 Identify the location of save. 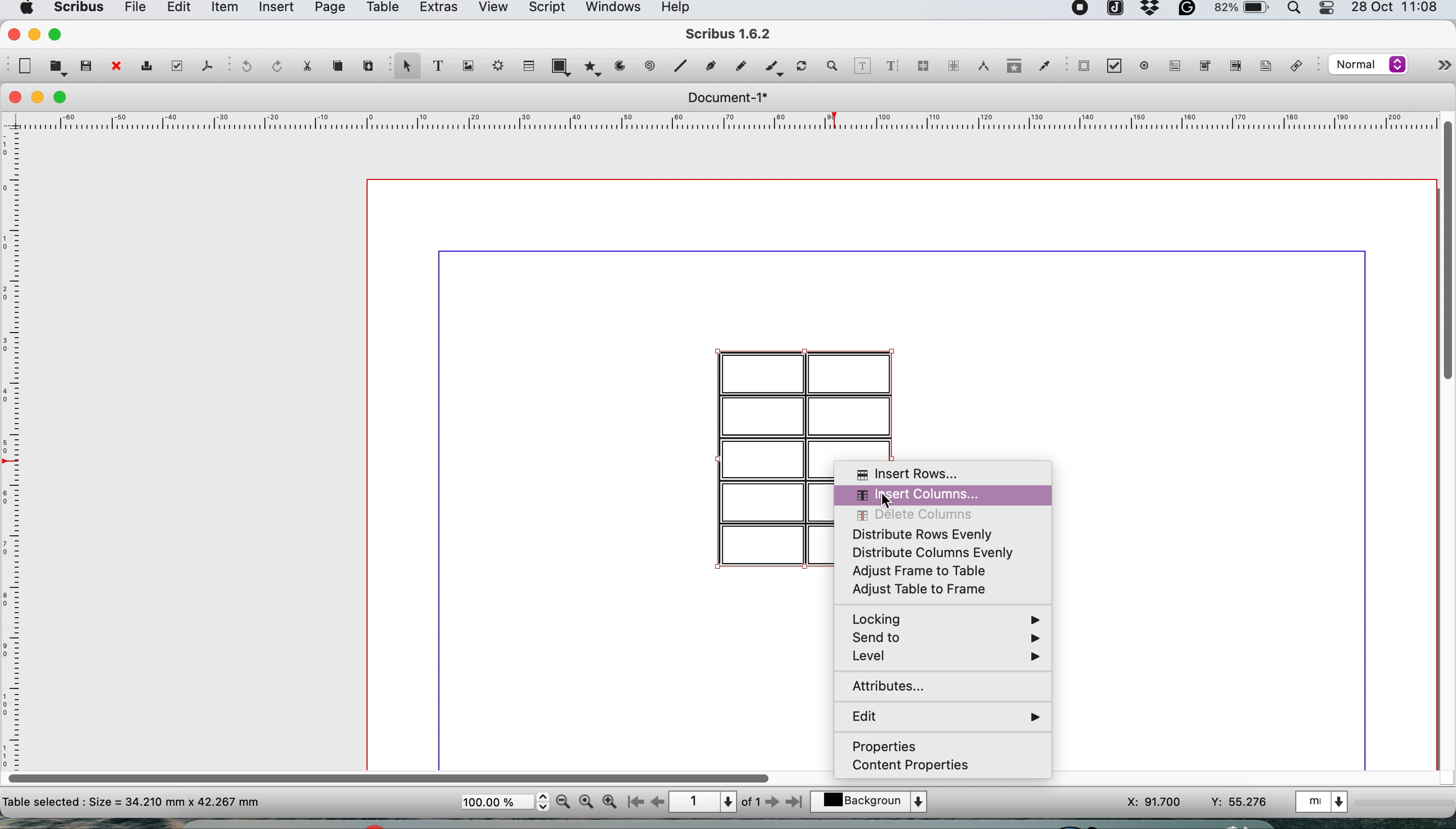
(87, 65).